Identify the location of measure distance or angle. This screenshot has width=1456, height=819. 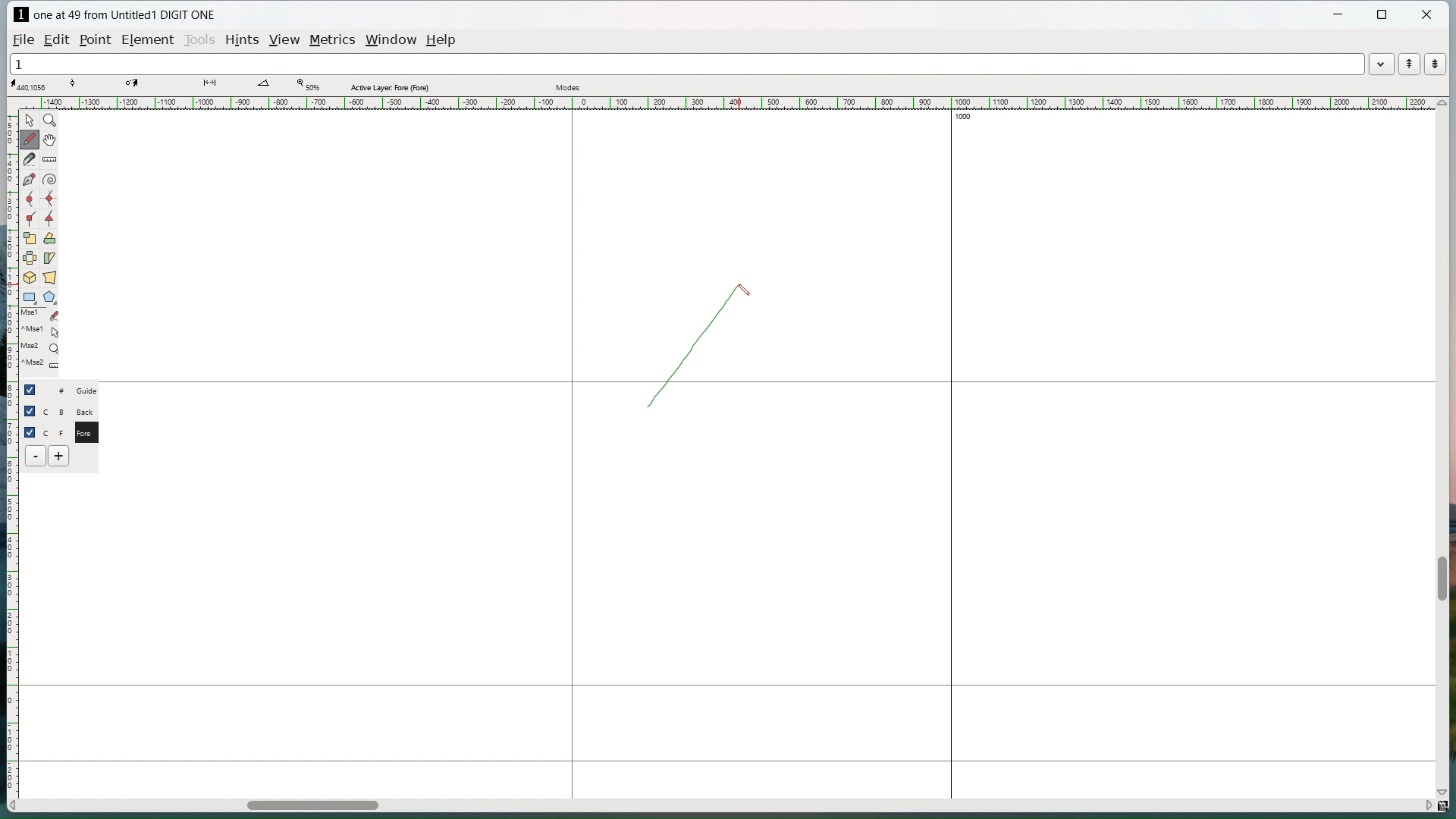
(51, 158).